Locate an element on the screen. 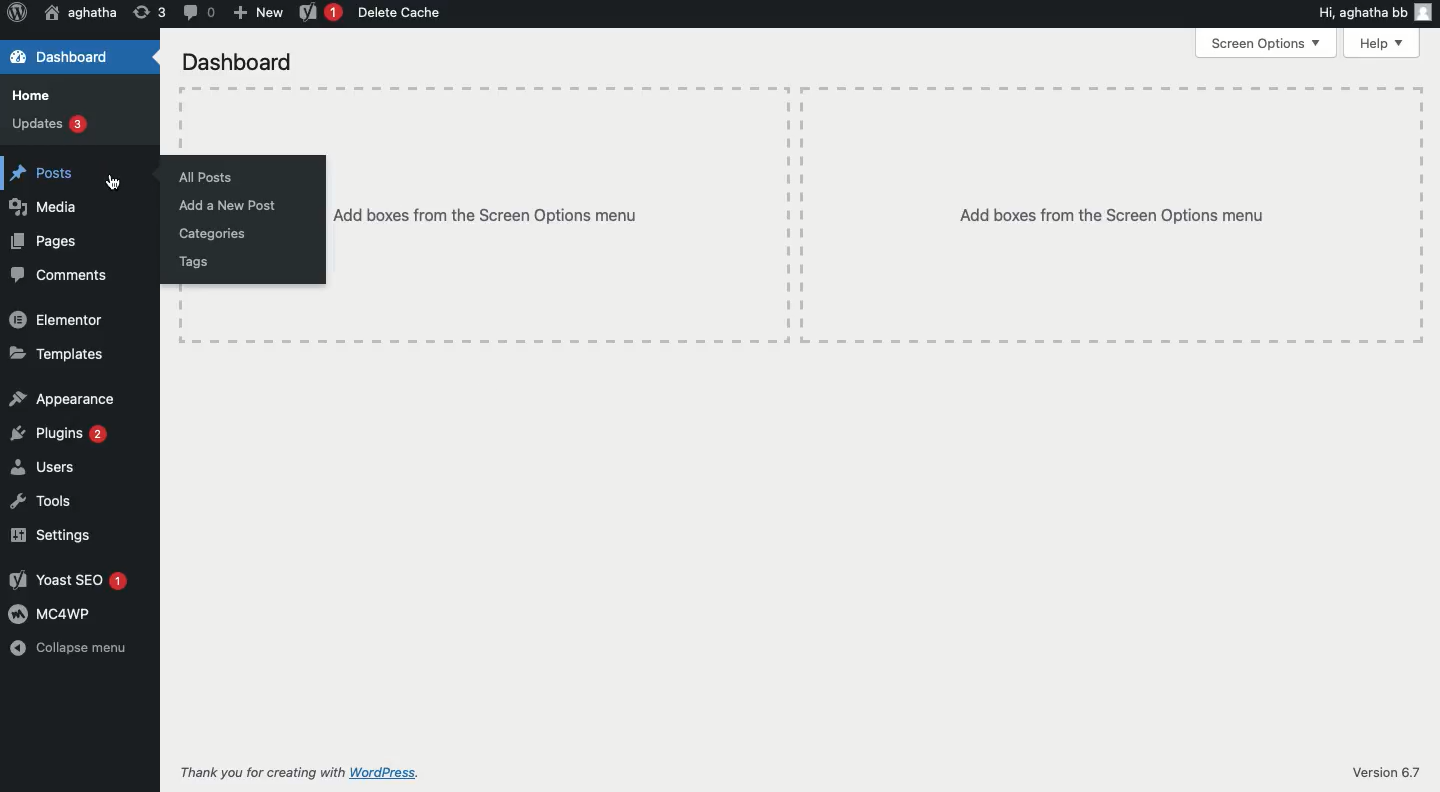 The width and height of the screenshot is (1440, 792). New is located at coordinates (254, 13).